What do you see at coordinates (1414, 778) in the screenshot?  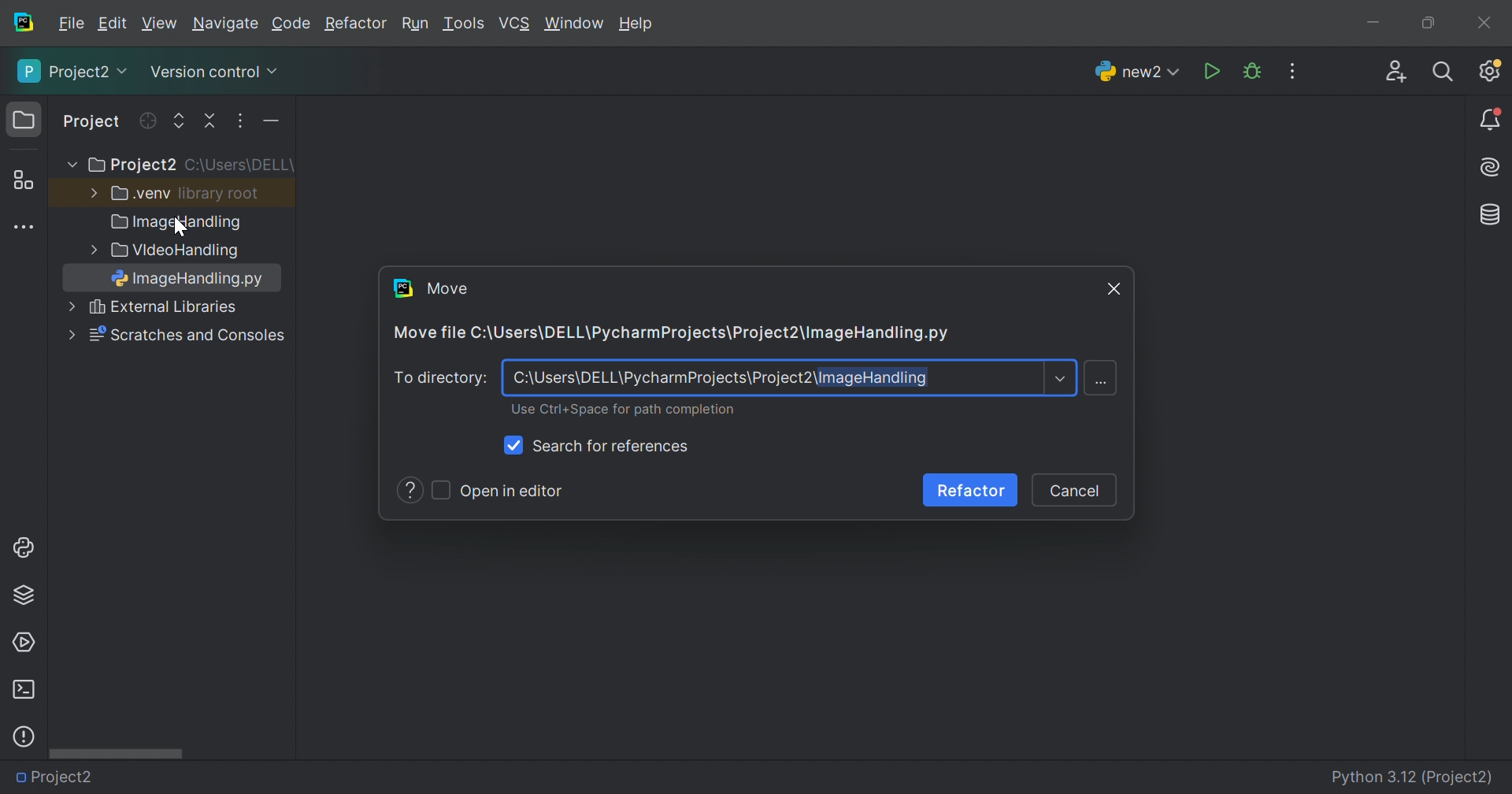 I see `Python 3.12 (Project2)` at bounding box center [1414, 778].